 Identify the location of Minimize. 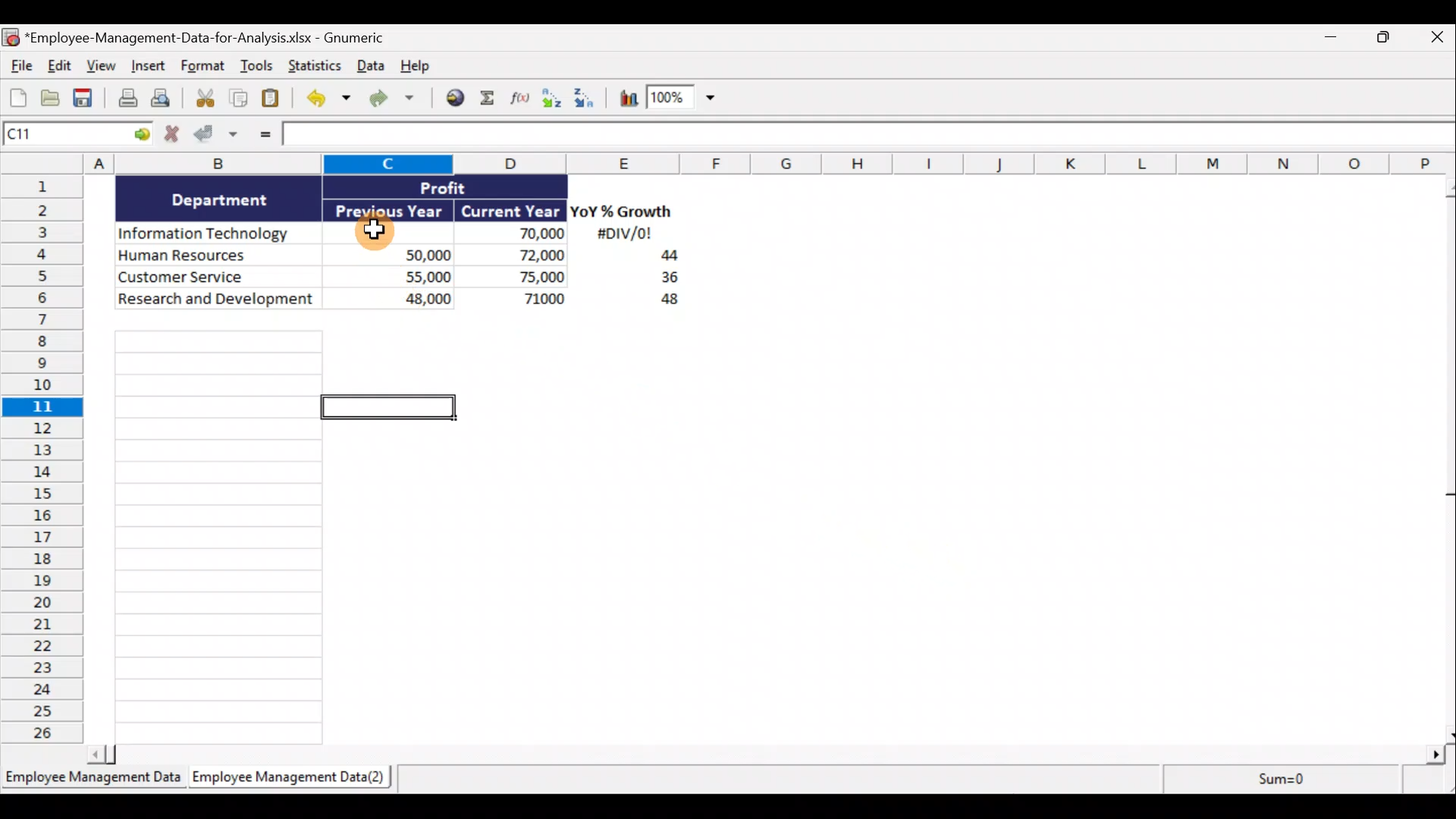
(1336, 40).